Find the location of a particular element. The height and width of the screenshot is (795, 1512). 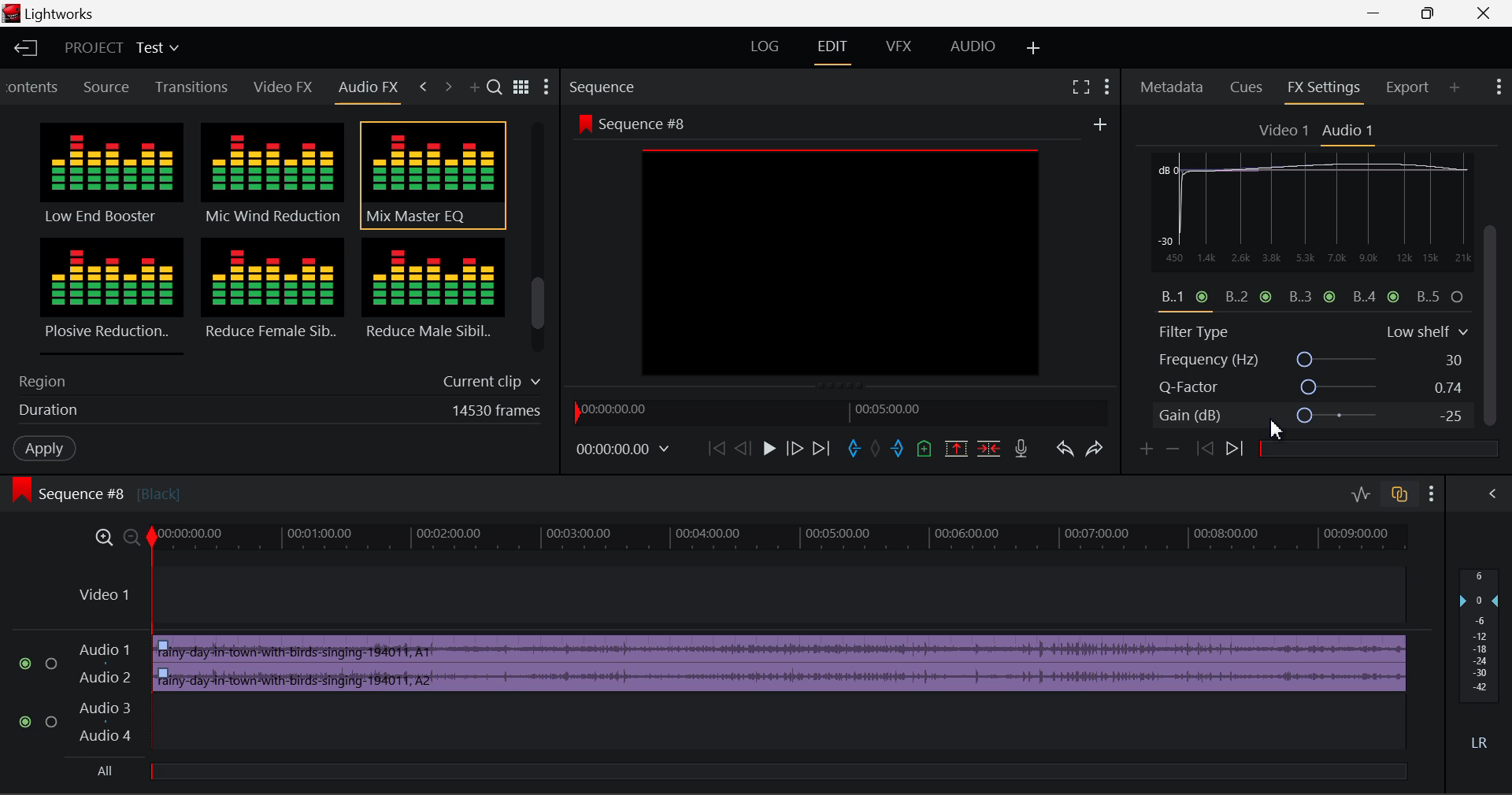

Region is located at coordinates (276, 379).